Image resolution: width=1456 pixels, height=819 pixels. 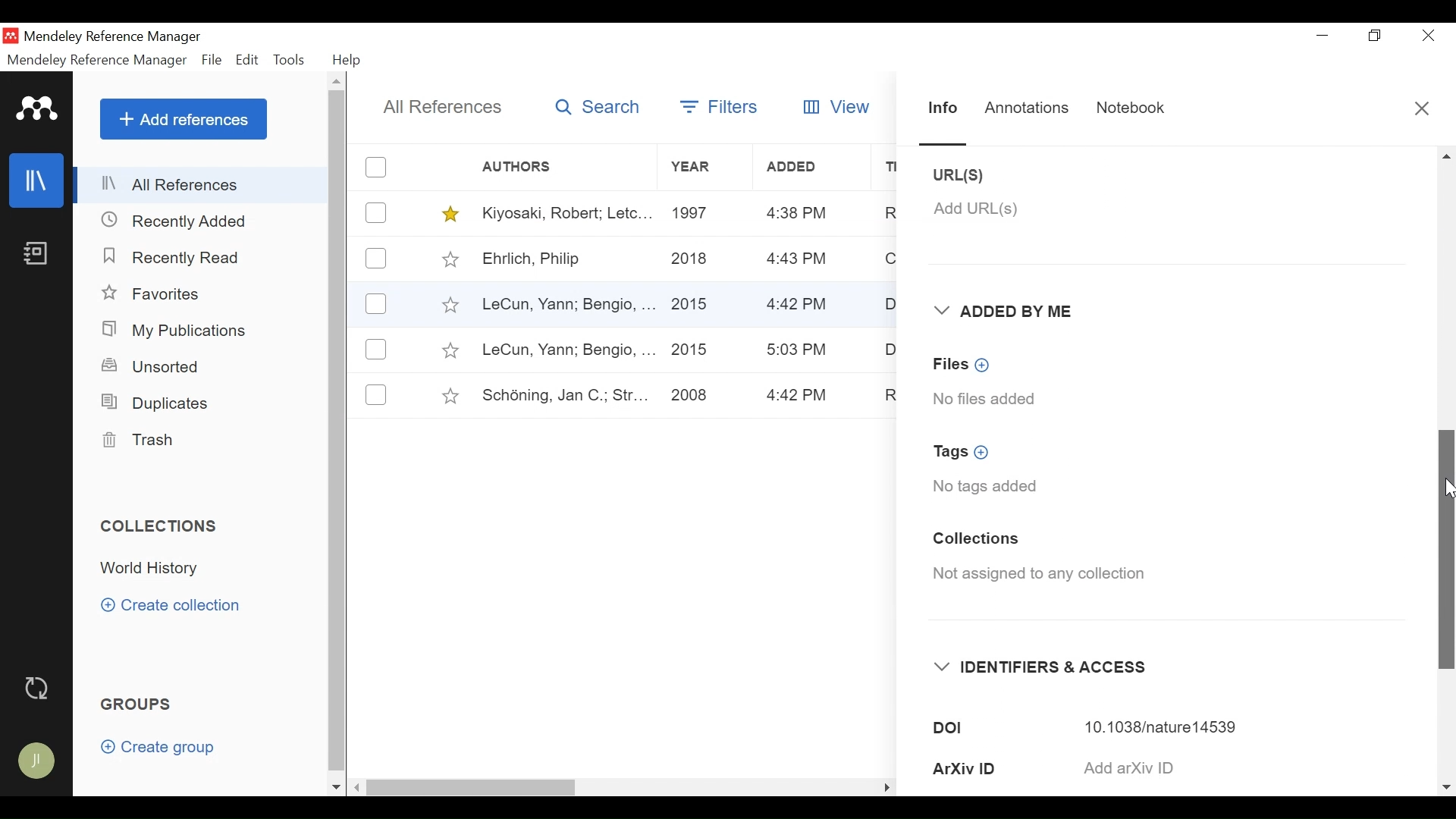 I want to click on Groups, so click(x=140, y=705).